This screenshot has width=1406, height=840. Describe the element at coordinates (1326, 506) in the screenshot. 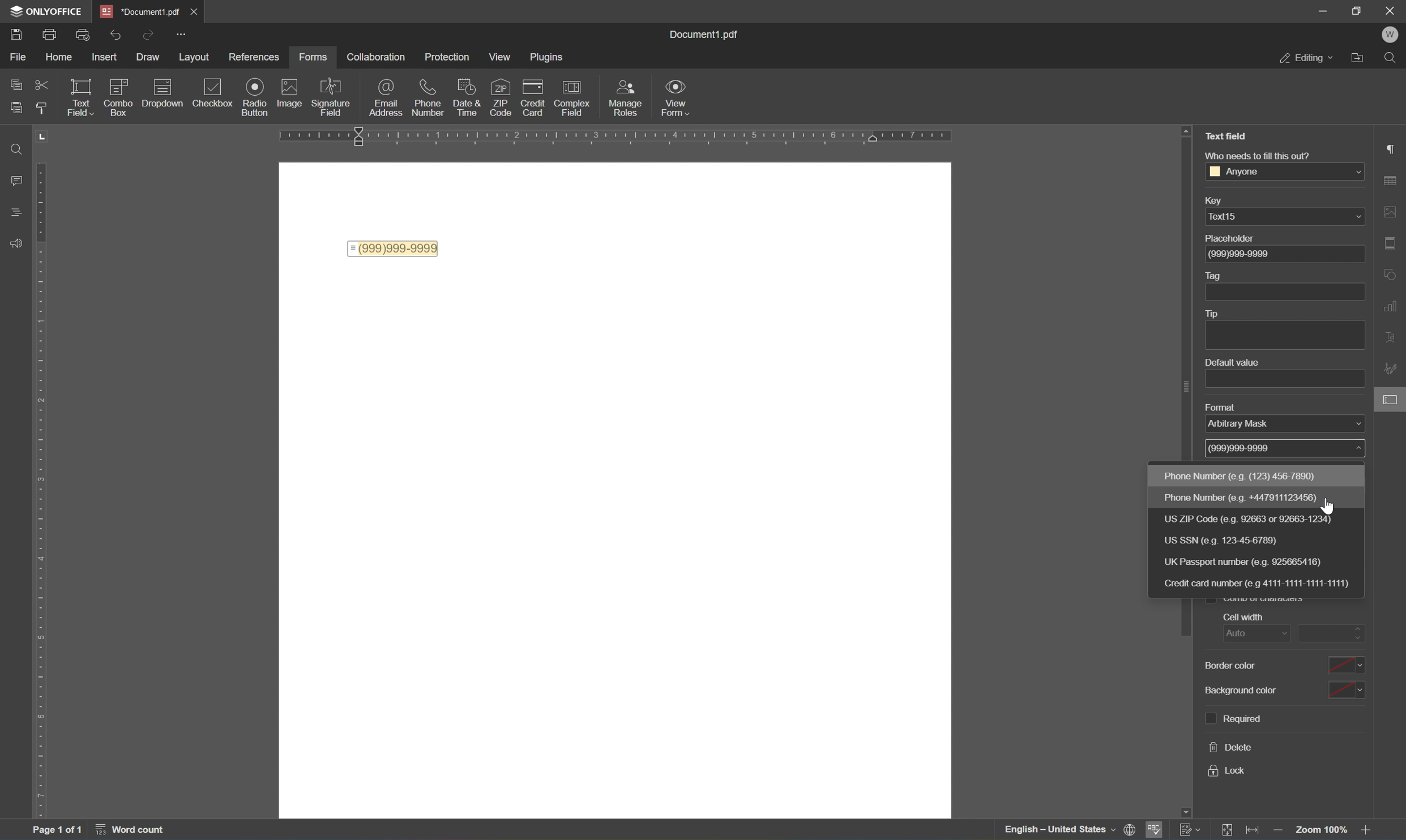

I see `cursor` at that location.